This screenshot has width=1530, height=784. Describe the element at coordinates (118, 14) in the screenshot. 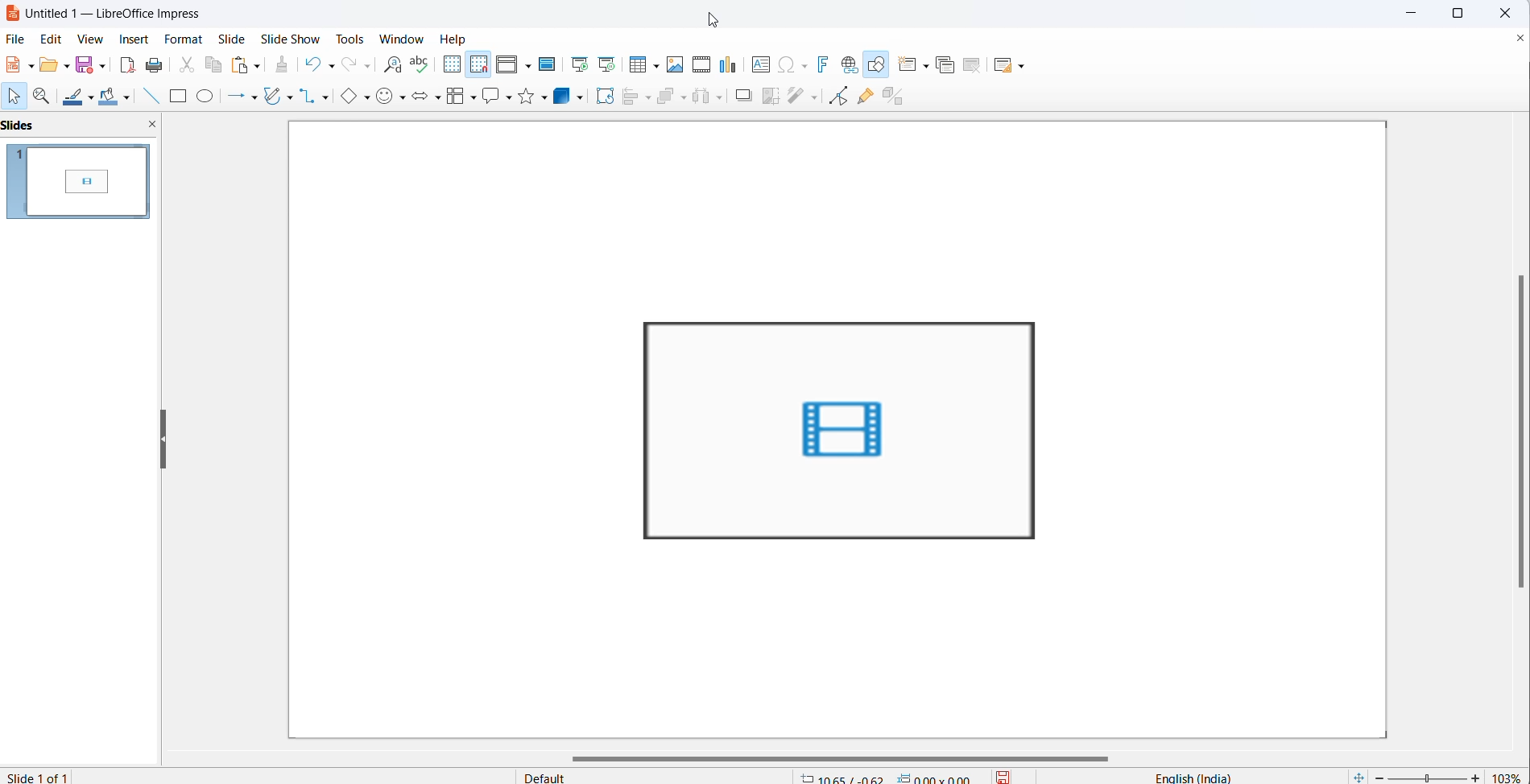

I see `file title` at that location.